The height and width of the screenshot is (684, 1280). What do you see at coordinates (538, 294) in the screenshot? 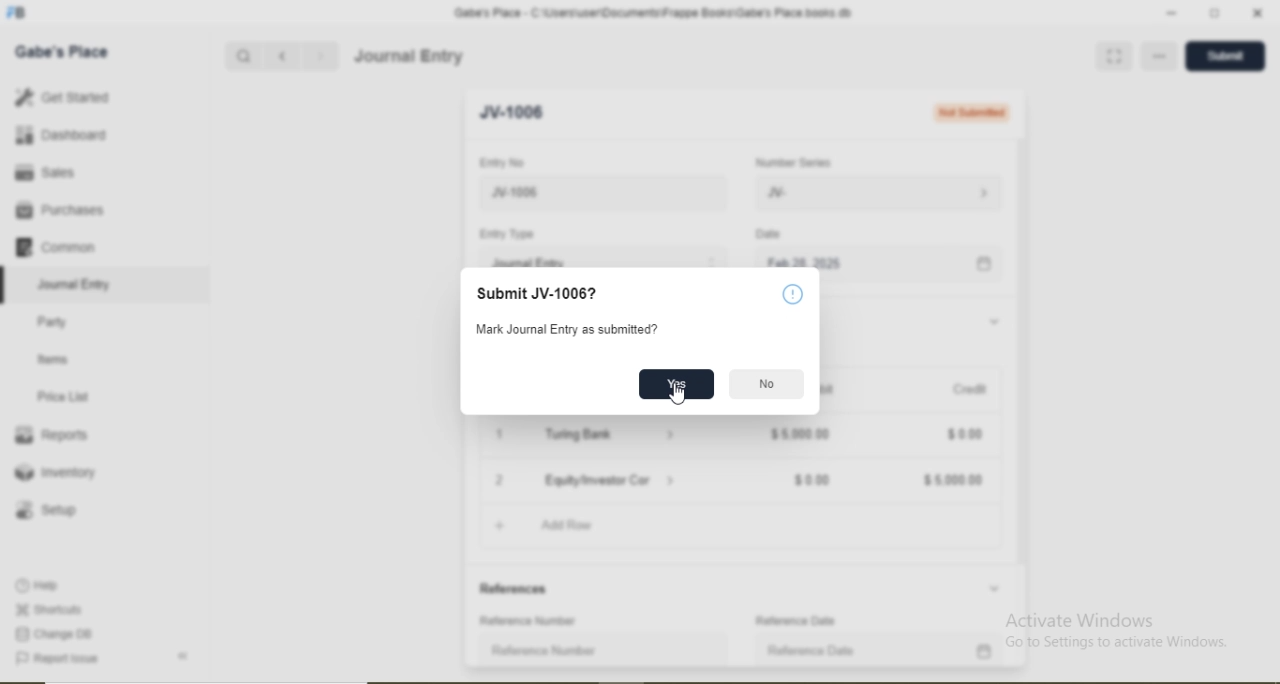
I see `Submit JV-1006?` at bounding box center [538, 294].